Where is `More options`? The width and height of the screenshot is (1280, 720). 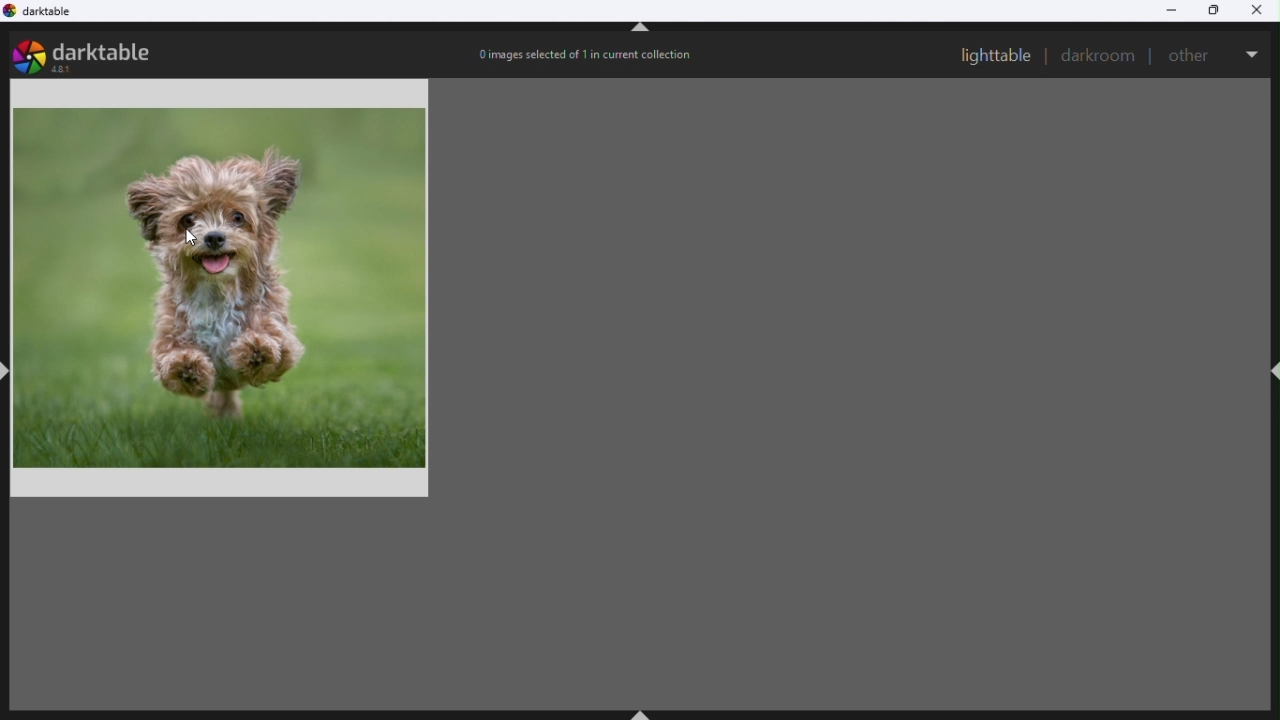
More options is located at coordinates (1255, 55).